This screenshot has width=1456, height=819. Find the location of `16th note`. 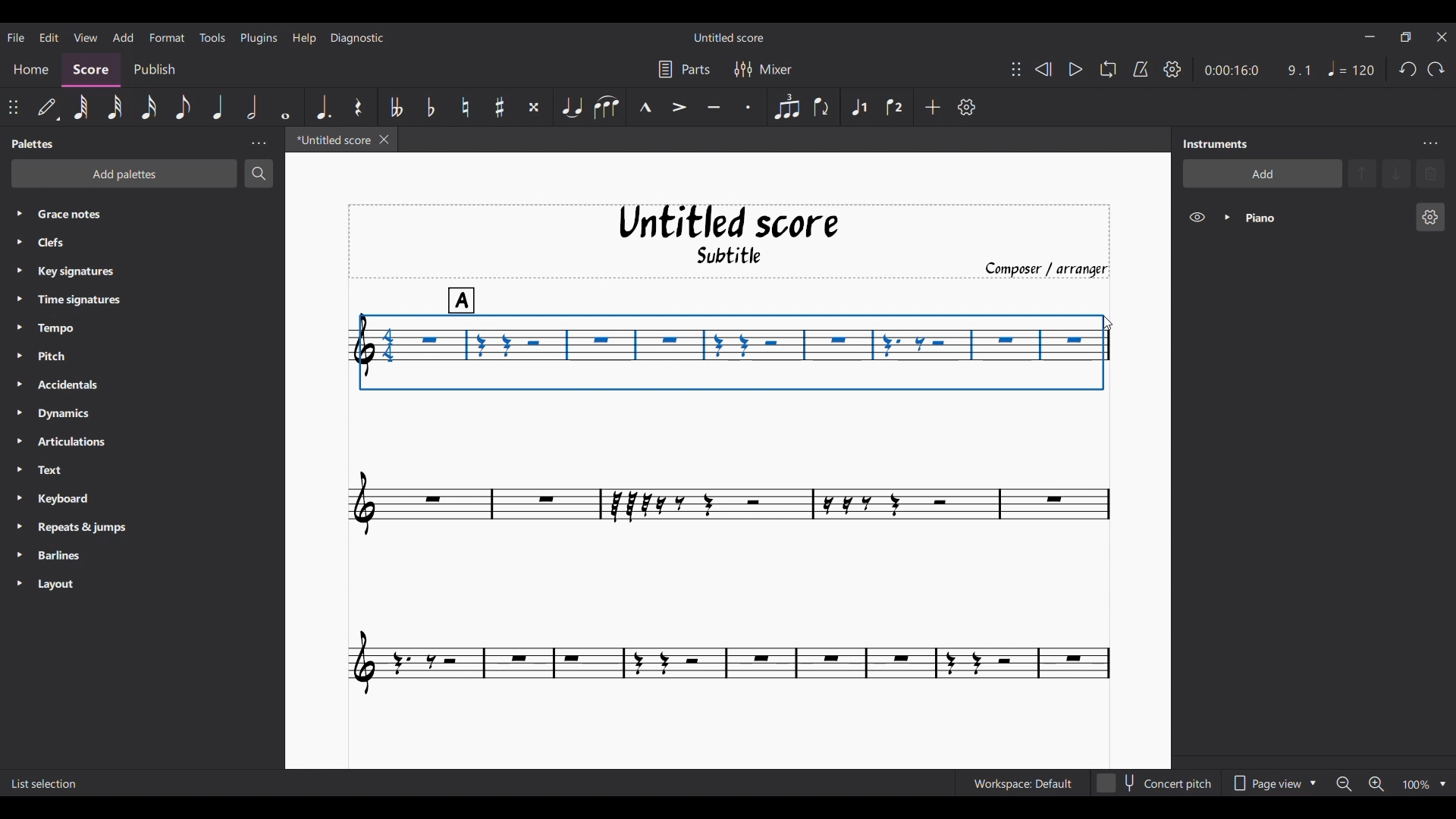

16th note is located at coordinates (149, 106).